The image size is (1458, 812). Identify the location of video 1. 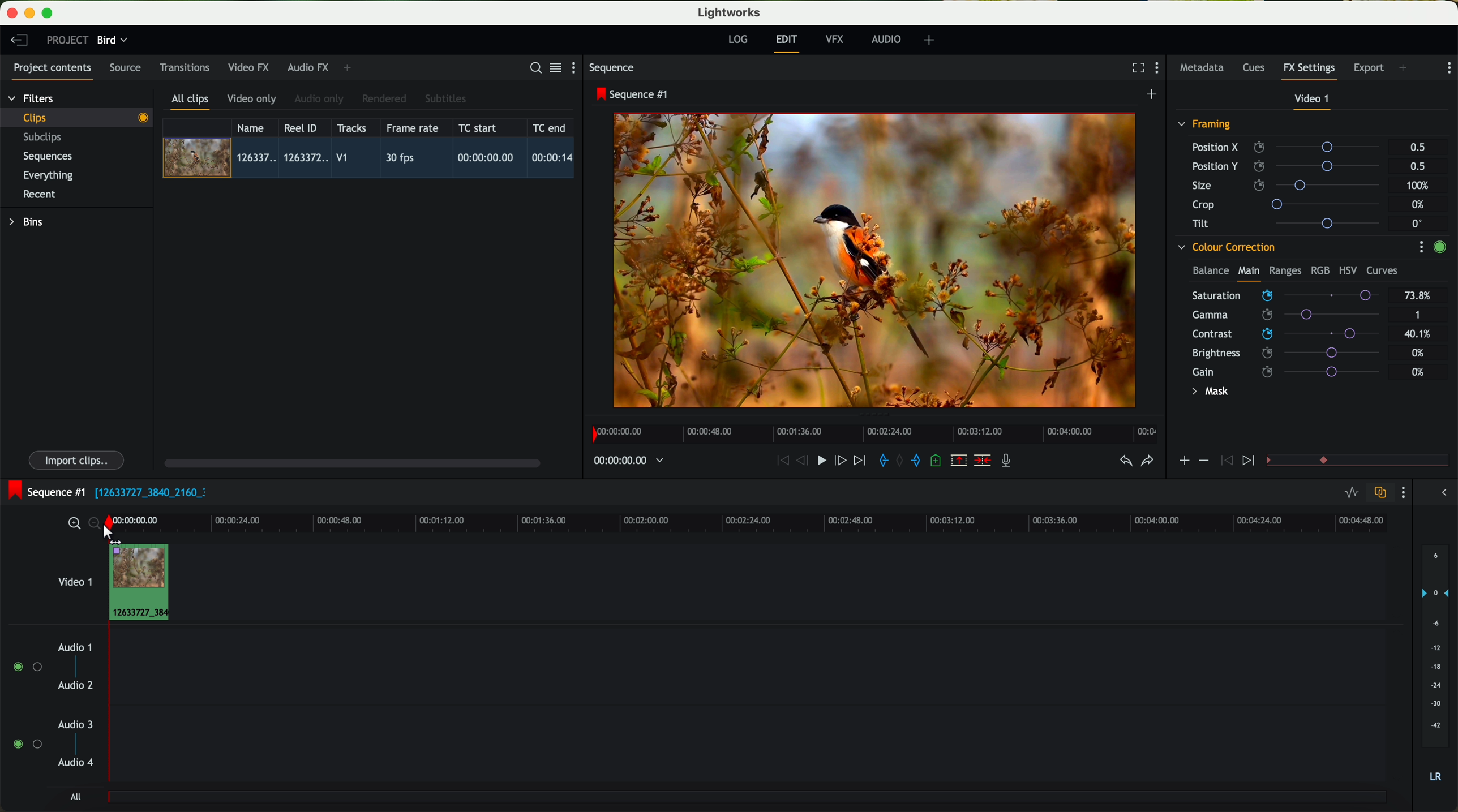
(1313, 101).